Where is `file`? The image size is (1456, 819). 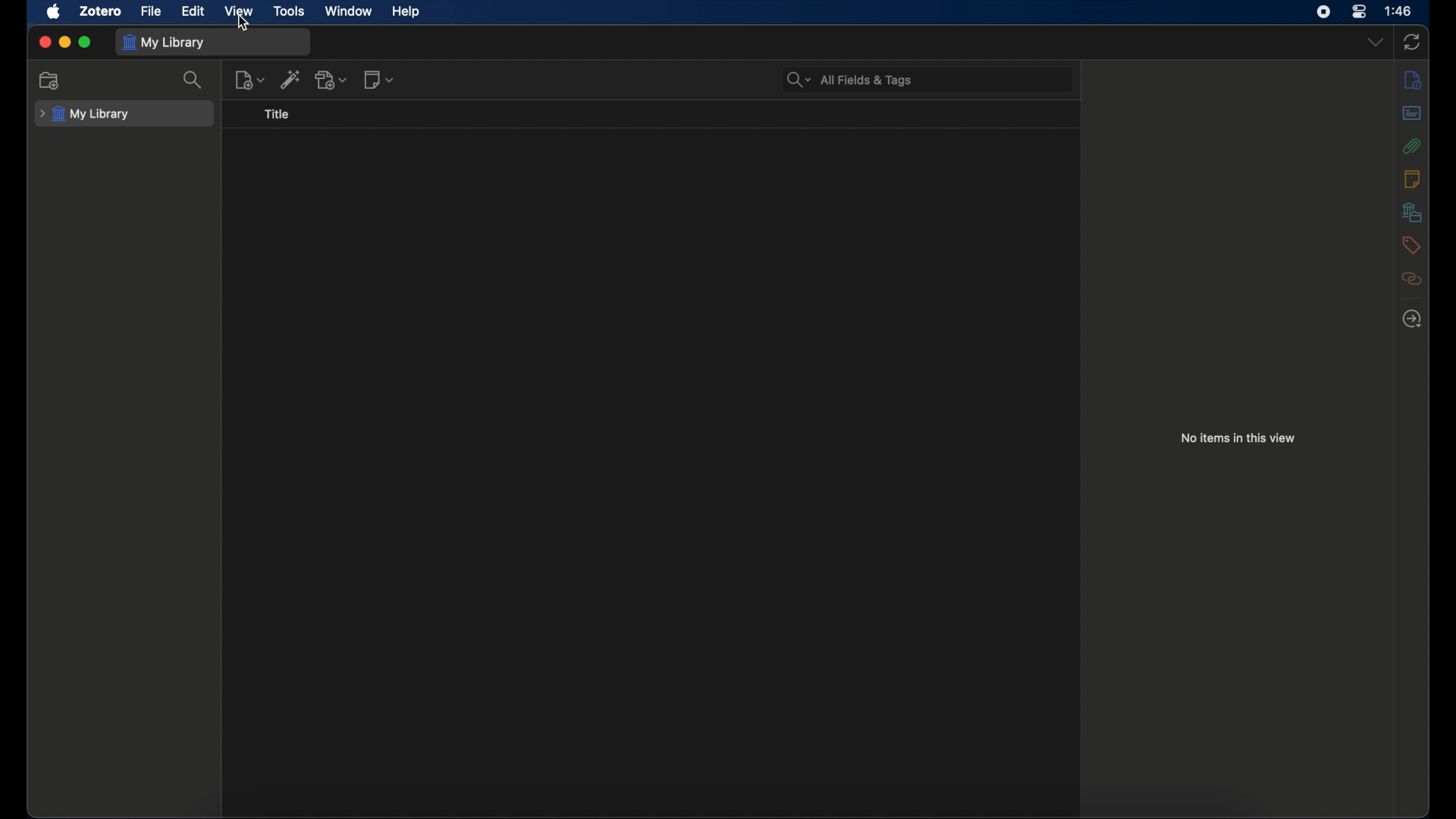
file is located at coordinates (150, 11).